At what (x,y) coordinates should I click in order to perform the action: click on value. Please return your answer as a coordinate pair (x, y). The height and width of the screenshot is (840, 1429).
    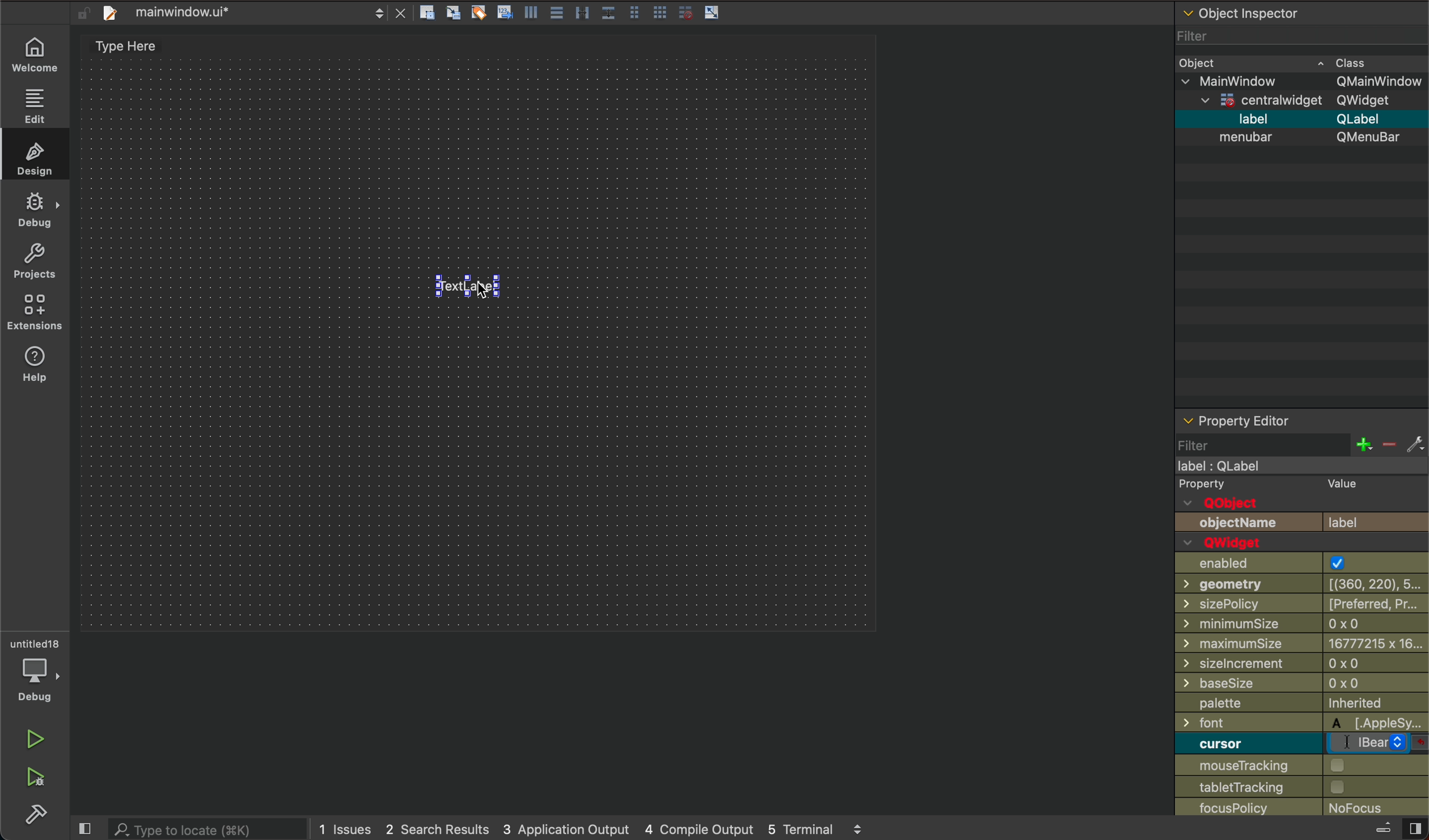
    Looking at the image, I should click on (1352, 484).